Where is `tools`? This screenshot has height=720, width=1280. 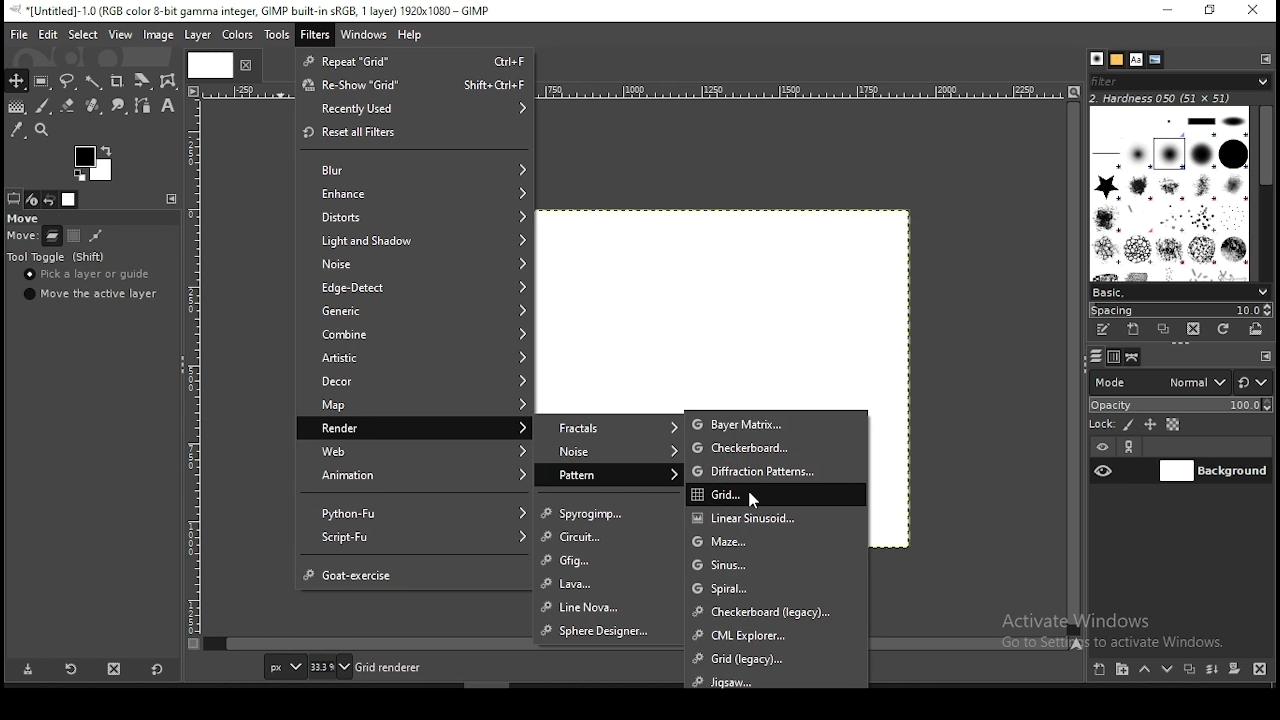
tools is located at coordinates (280, 35).